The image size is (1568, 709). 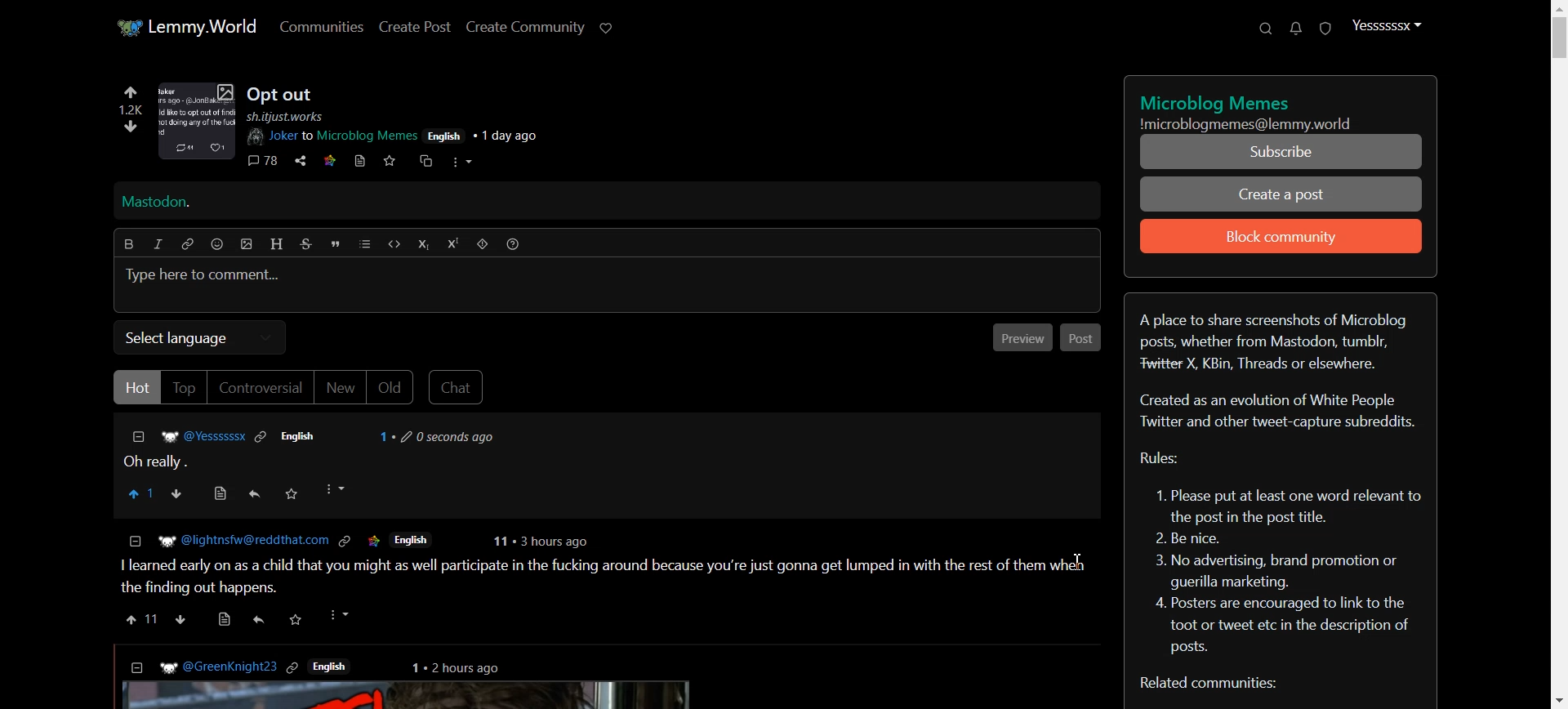 What do you see at coordinates (1282, 493) in the screenshot?
I see `Text` at bounding box center [1282, 493].